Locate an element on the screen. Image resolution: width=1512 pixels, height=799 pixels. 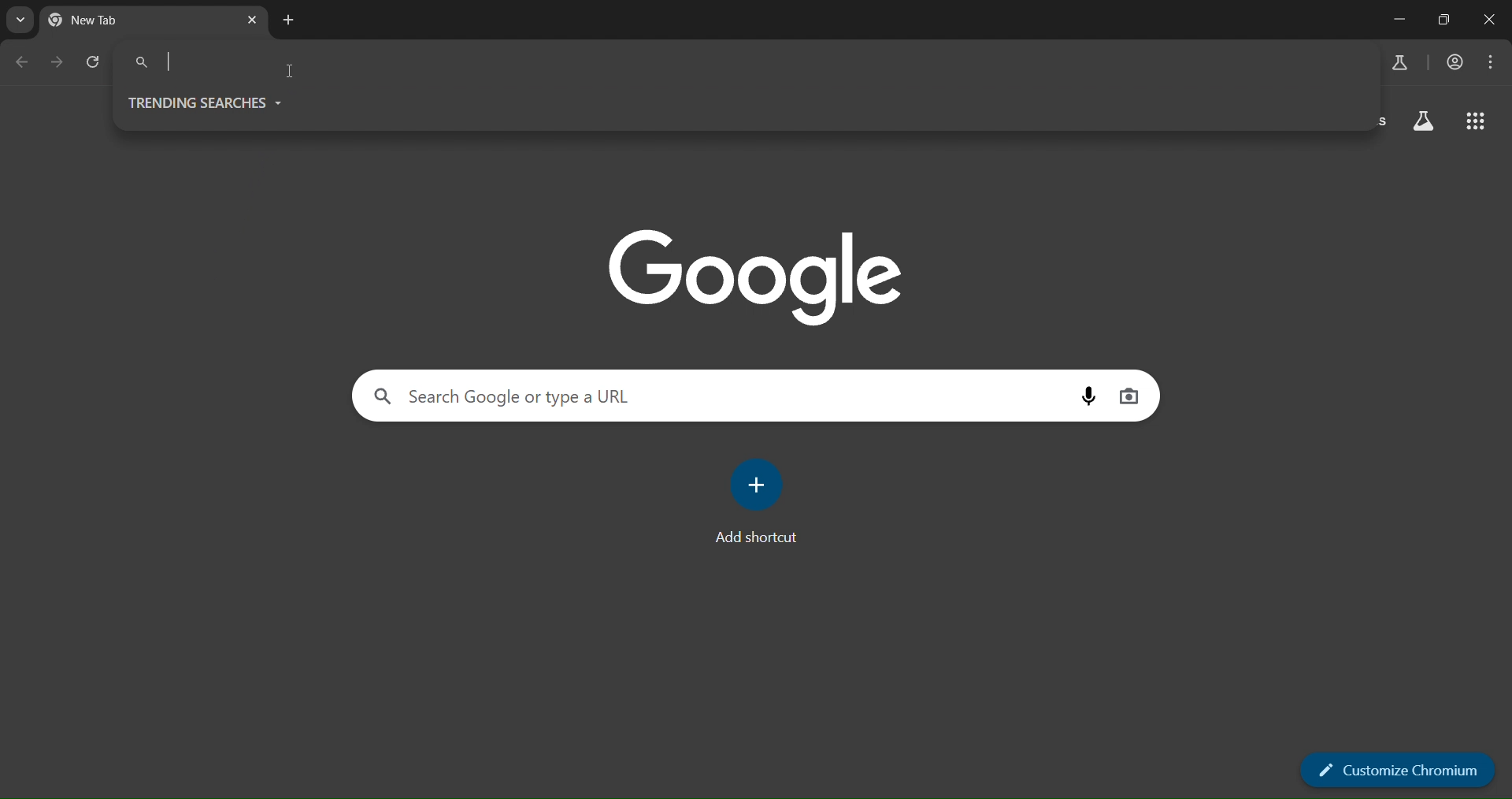
minimize is located at coordinates (1395, 20).